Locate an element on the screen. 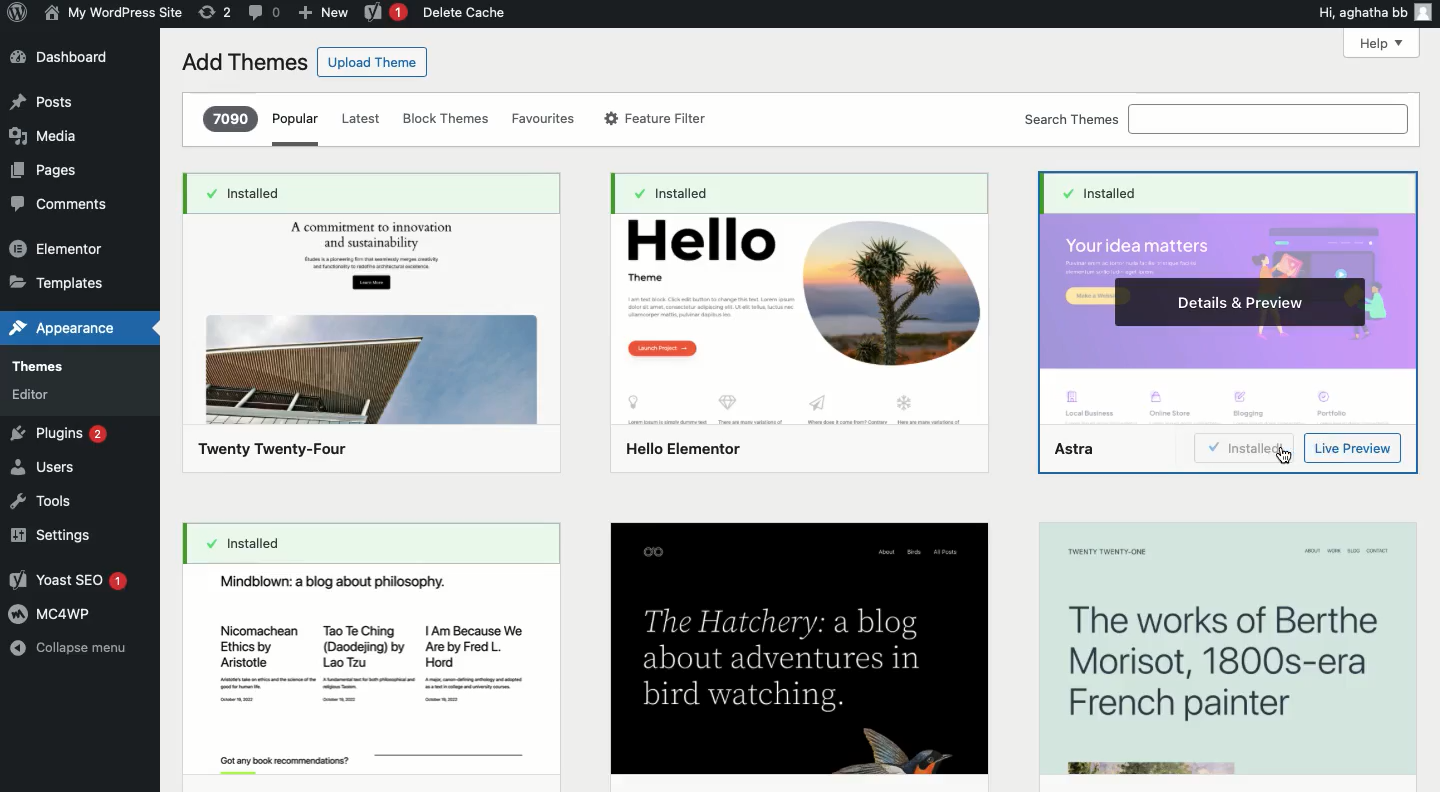  Settings is located at coordinates (51, 537).